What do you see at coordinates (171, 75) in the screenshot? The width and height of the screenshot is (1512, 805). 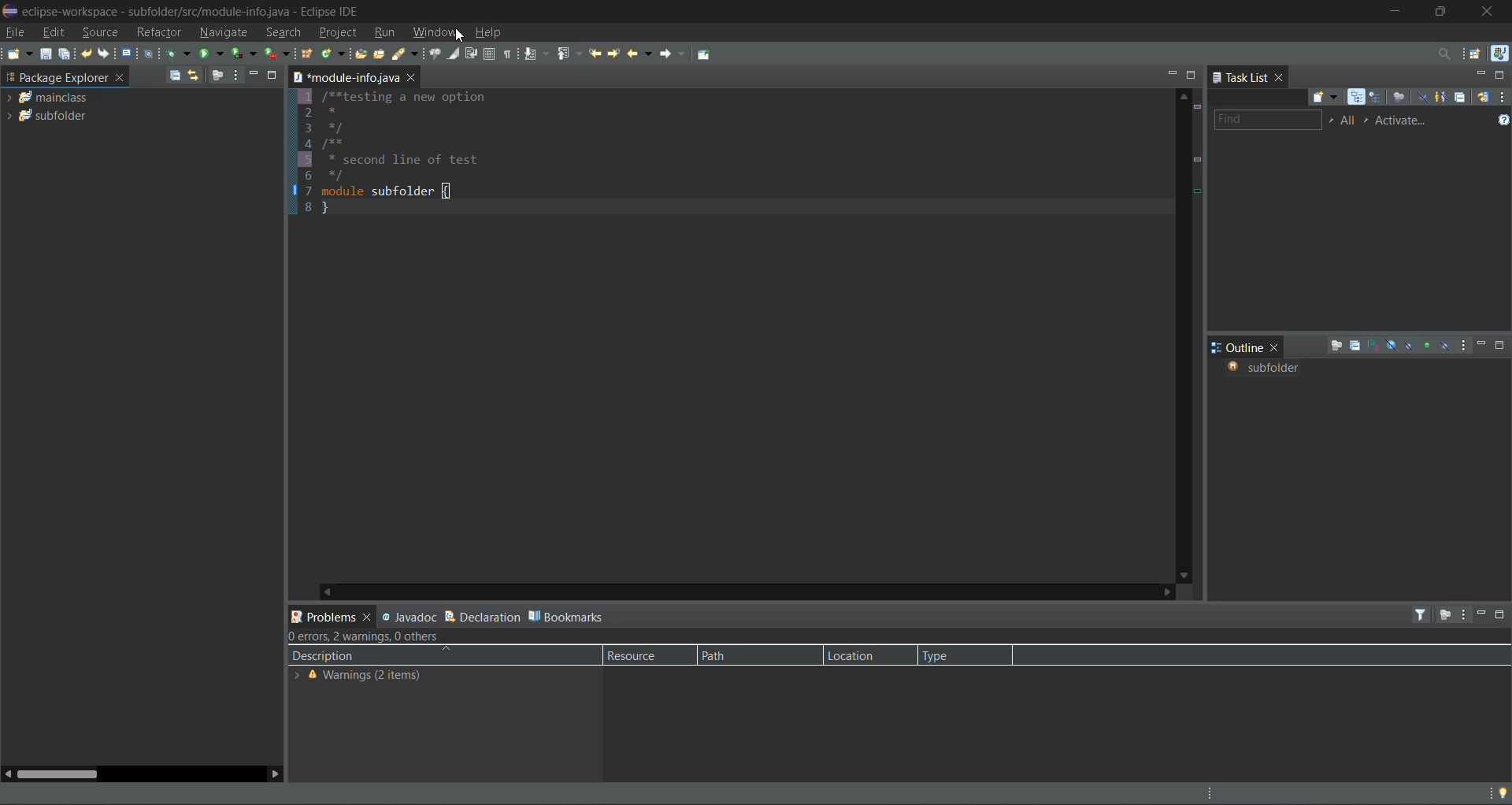 I see `collapse all` at bounding box center [171, 75].